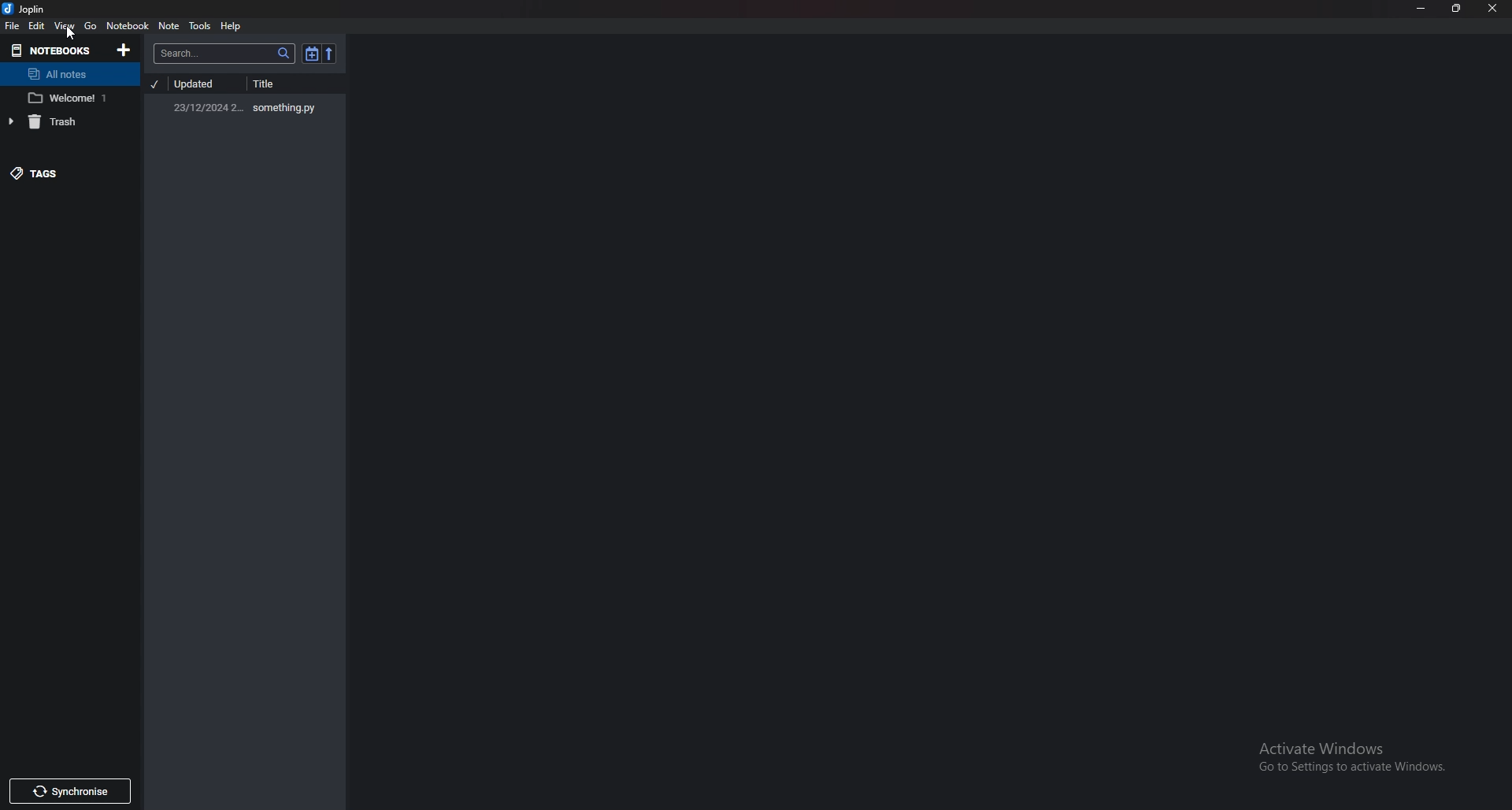 The image size is (1512, 810). Describe the element at coordinates (169, 27) in the screenshot. I see `note` at that location.